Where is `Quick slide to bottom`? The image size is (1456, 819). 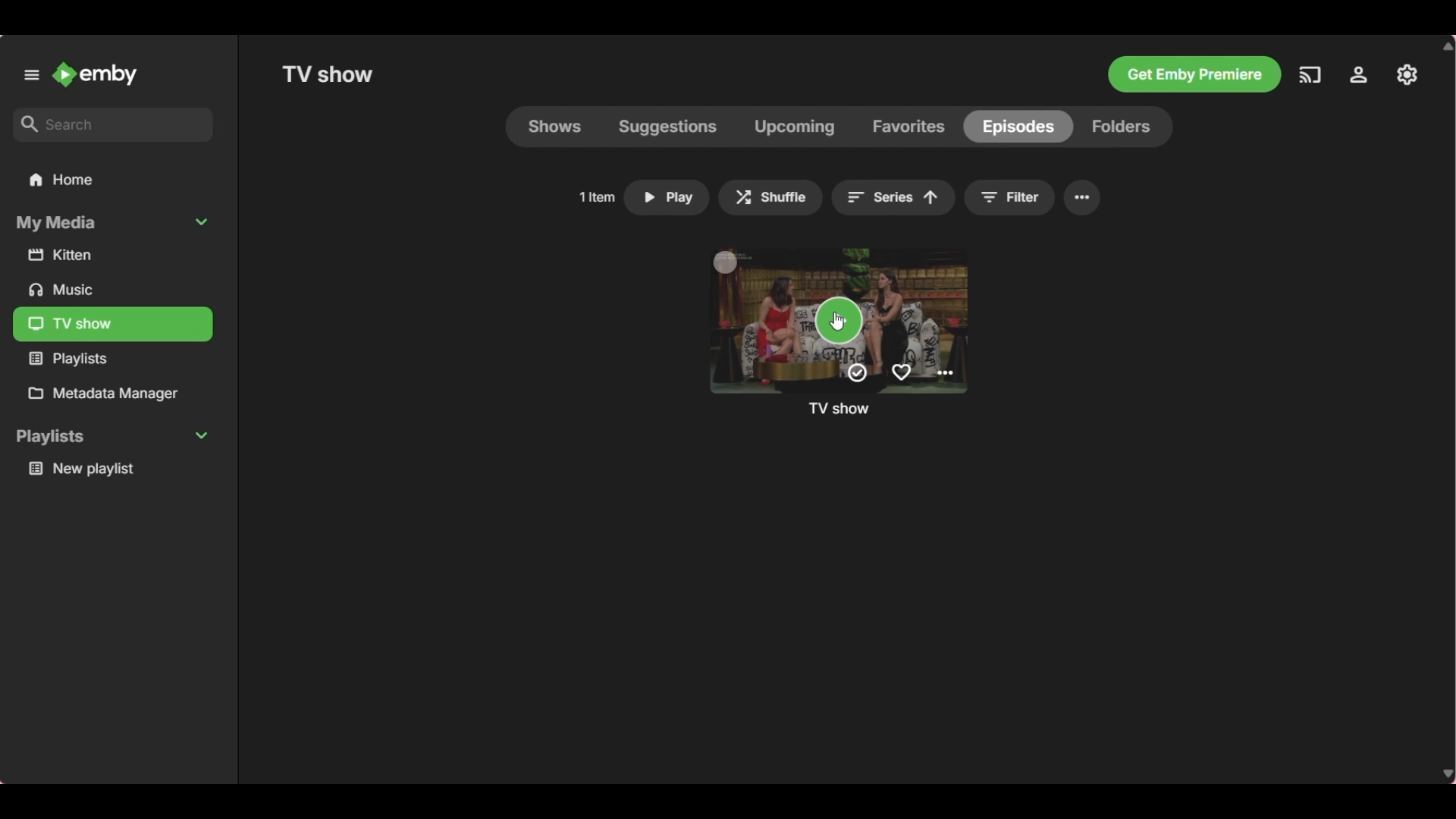
Quick slide to bottom is located at coordinates (1445, 775).